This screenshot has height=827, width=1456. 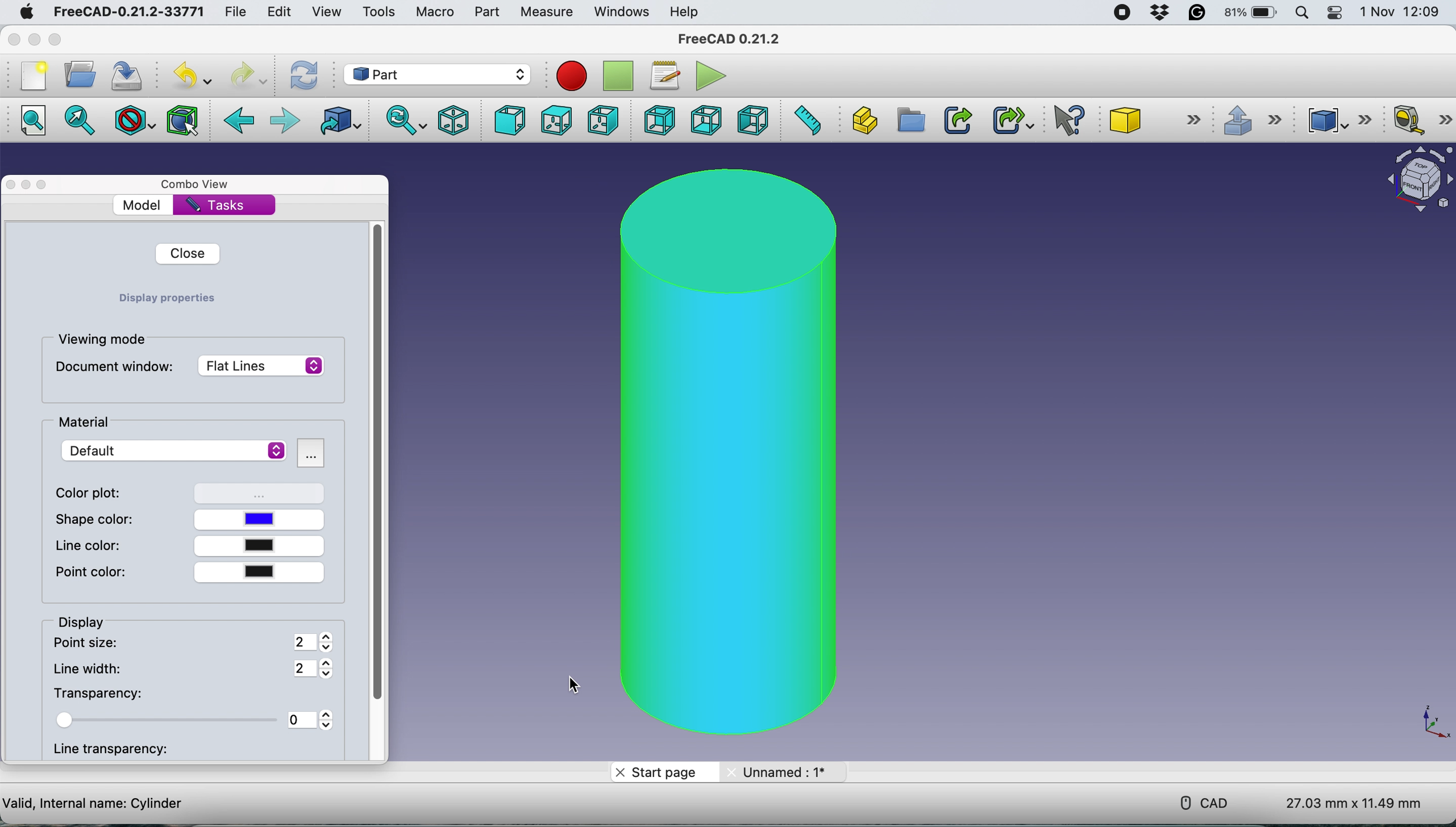 What do you see at coordinates (1432, 721) in the screenshot?
I see `xy coordinate` at bounding box center [1432, 721].